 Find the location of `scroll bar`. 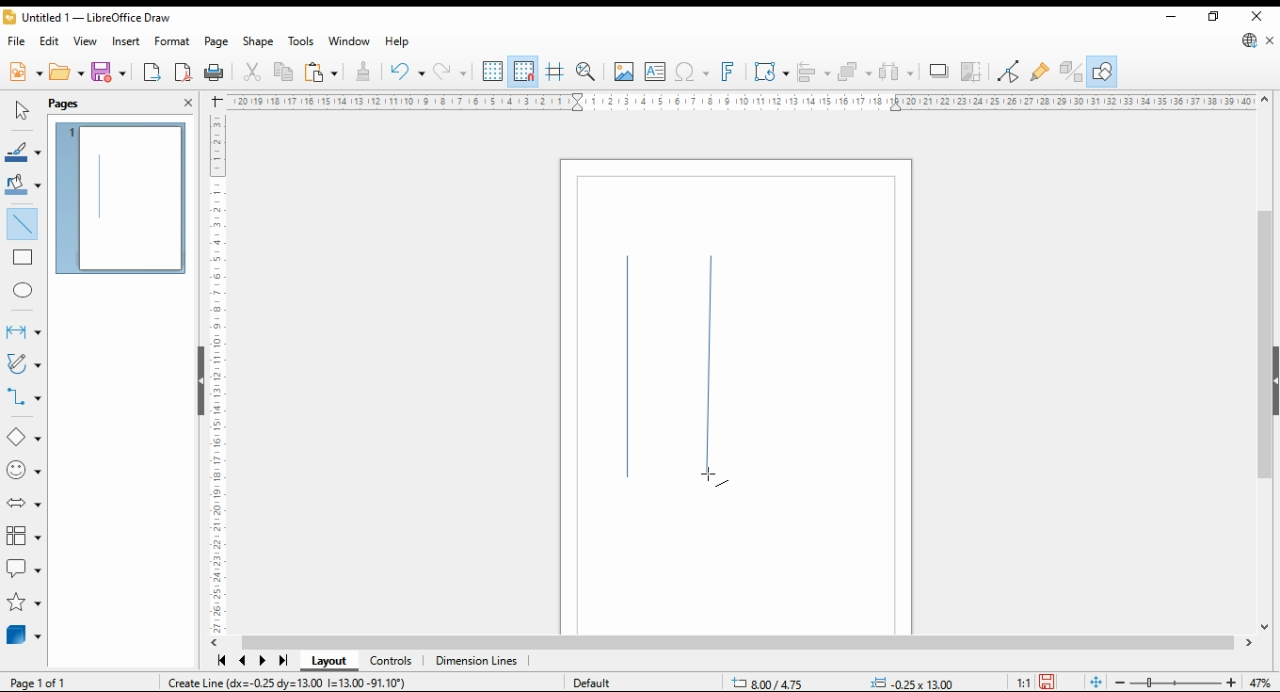

scroll bar is located at coordinates (1259, 361).